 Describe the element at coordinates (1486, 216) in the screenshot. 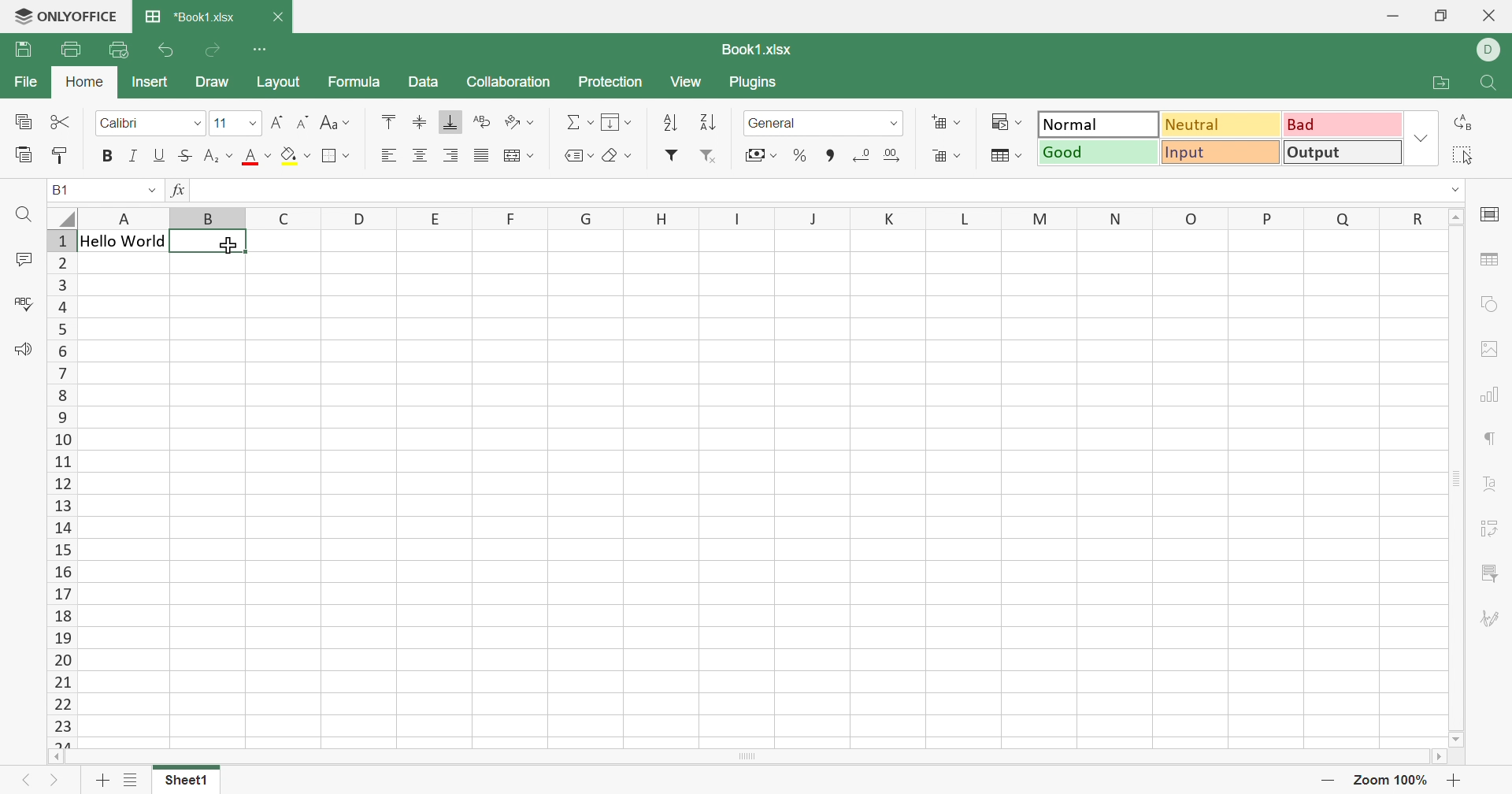

I see `cell settings` at that location.